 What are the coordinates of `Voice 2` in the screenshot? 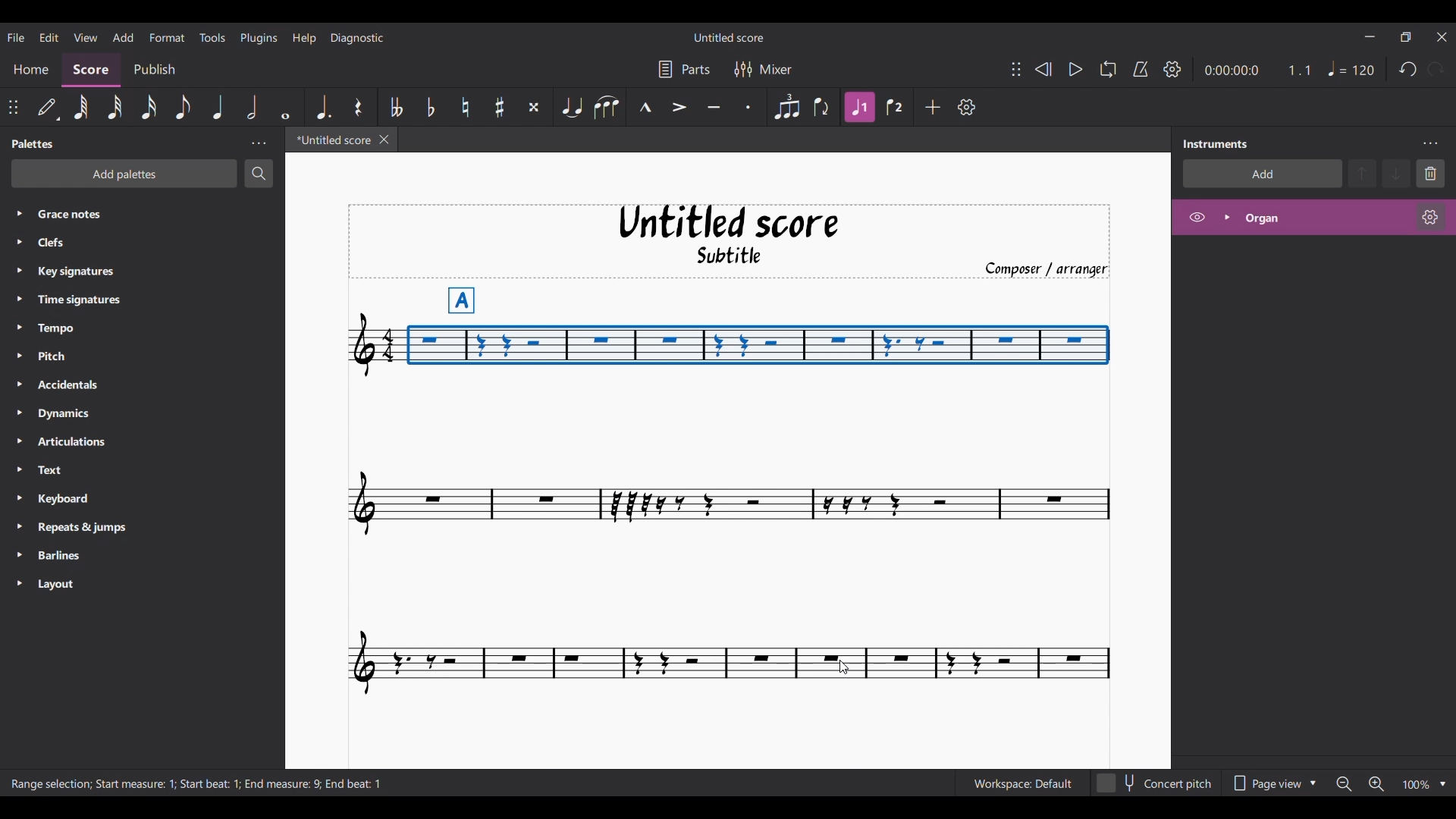 It's located at (894, 108).